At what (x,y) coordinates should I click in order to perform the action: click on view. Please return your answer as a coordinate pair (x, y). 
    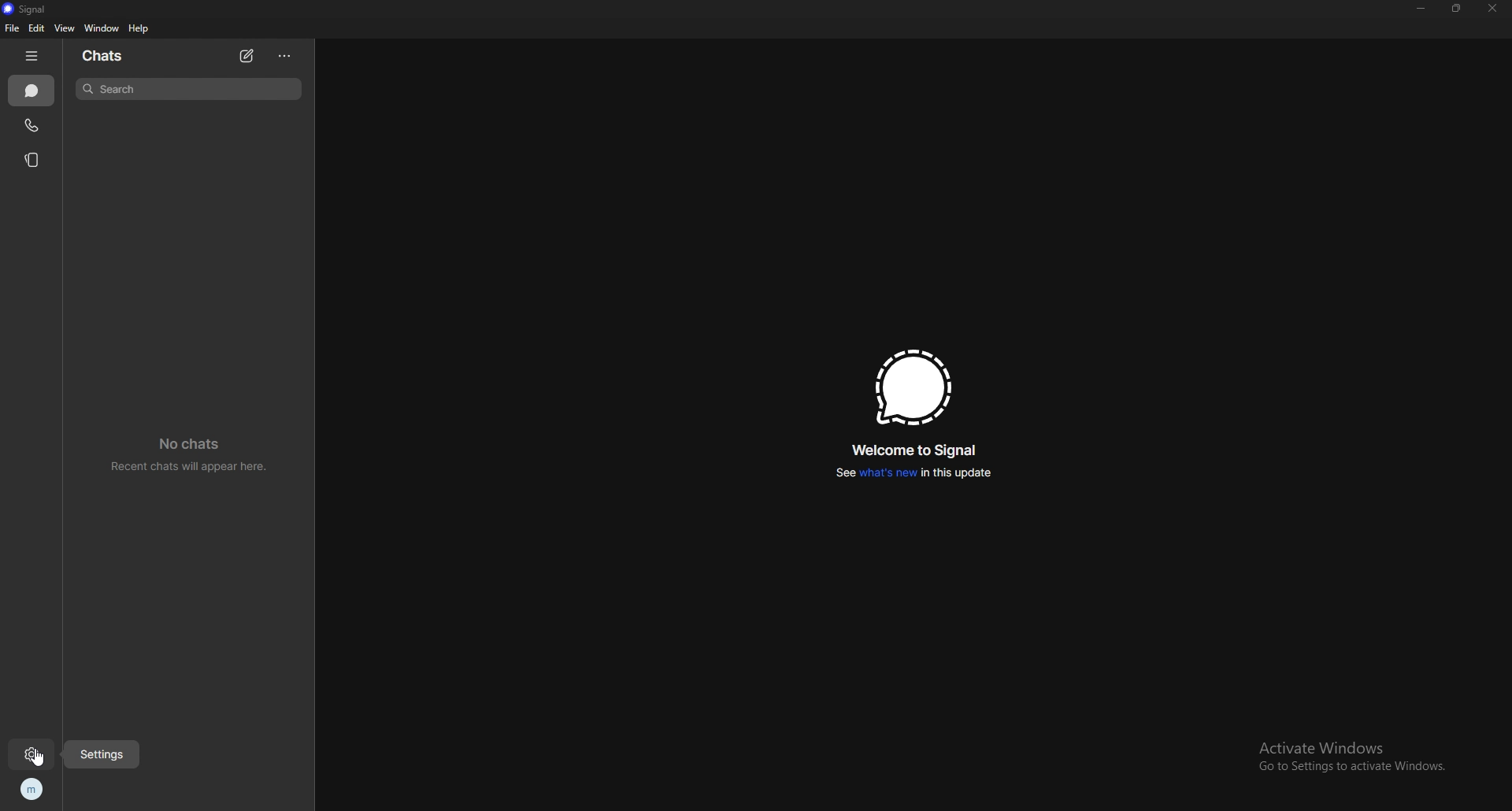
    Looking at the image, I should click on (63, 28).